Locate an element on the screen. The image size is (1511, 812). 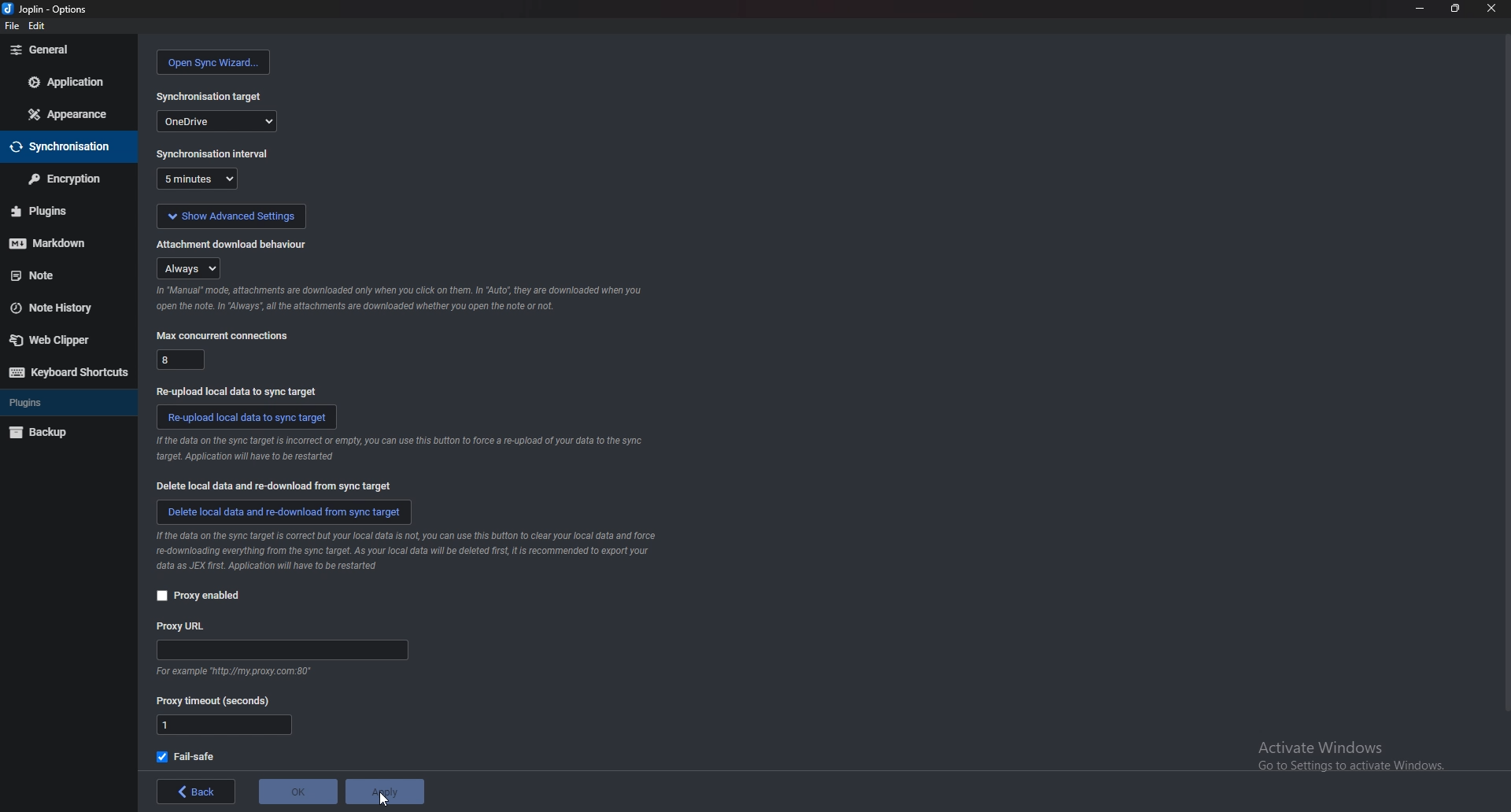
sync target is located at coordinates (212, 97).